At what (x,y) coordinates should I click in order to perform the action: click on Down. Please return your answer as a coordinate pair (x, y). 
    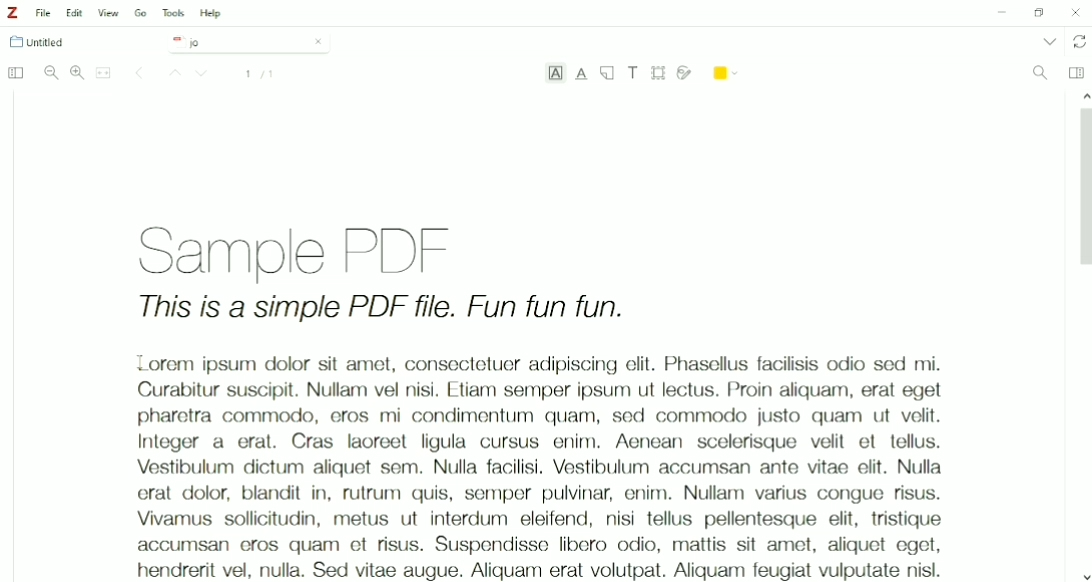
    Looking at the image, I should click on (204, 75).